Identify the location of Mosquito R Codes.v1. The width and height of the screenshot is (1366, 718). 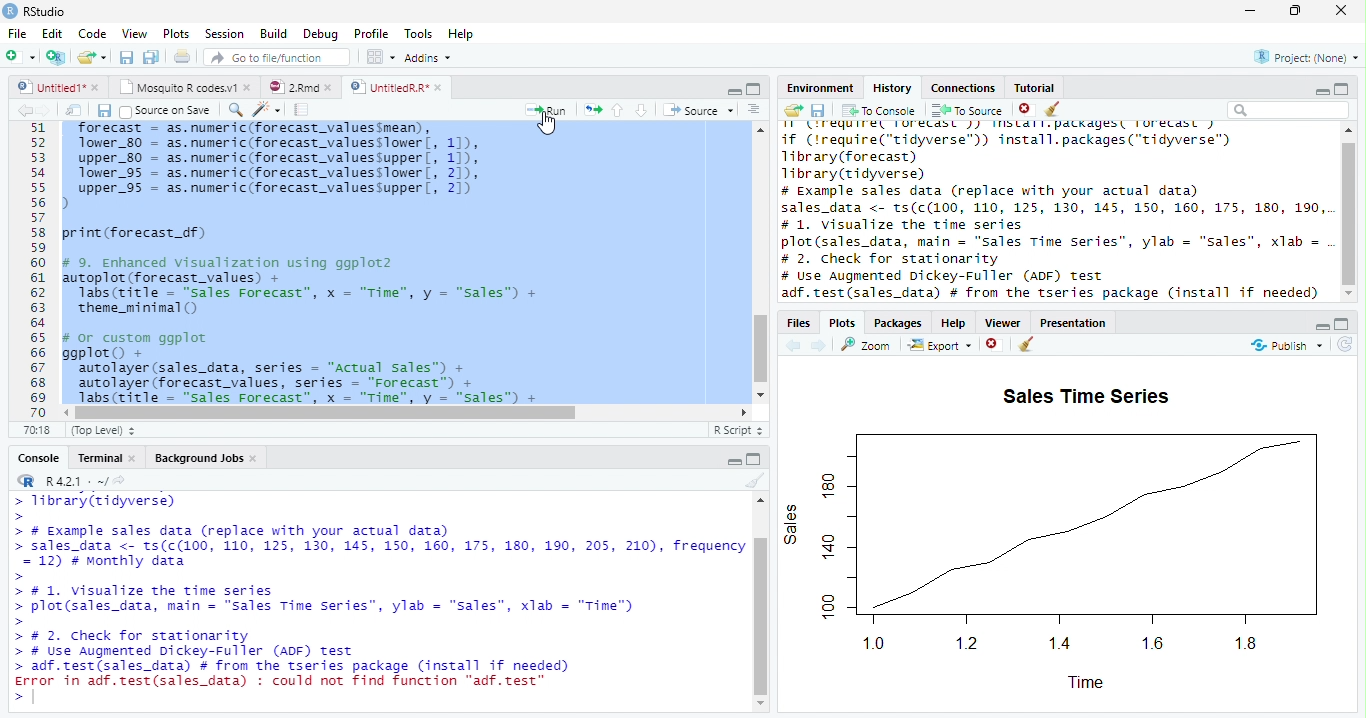
(185, 88).